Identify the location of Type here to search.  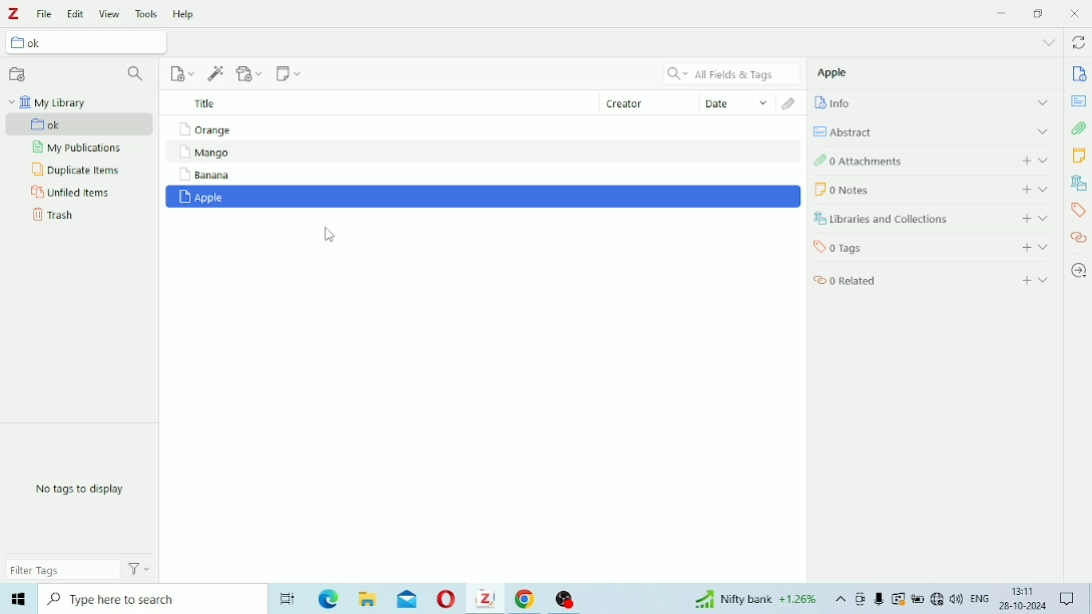
(147, 602).